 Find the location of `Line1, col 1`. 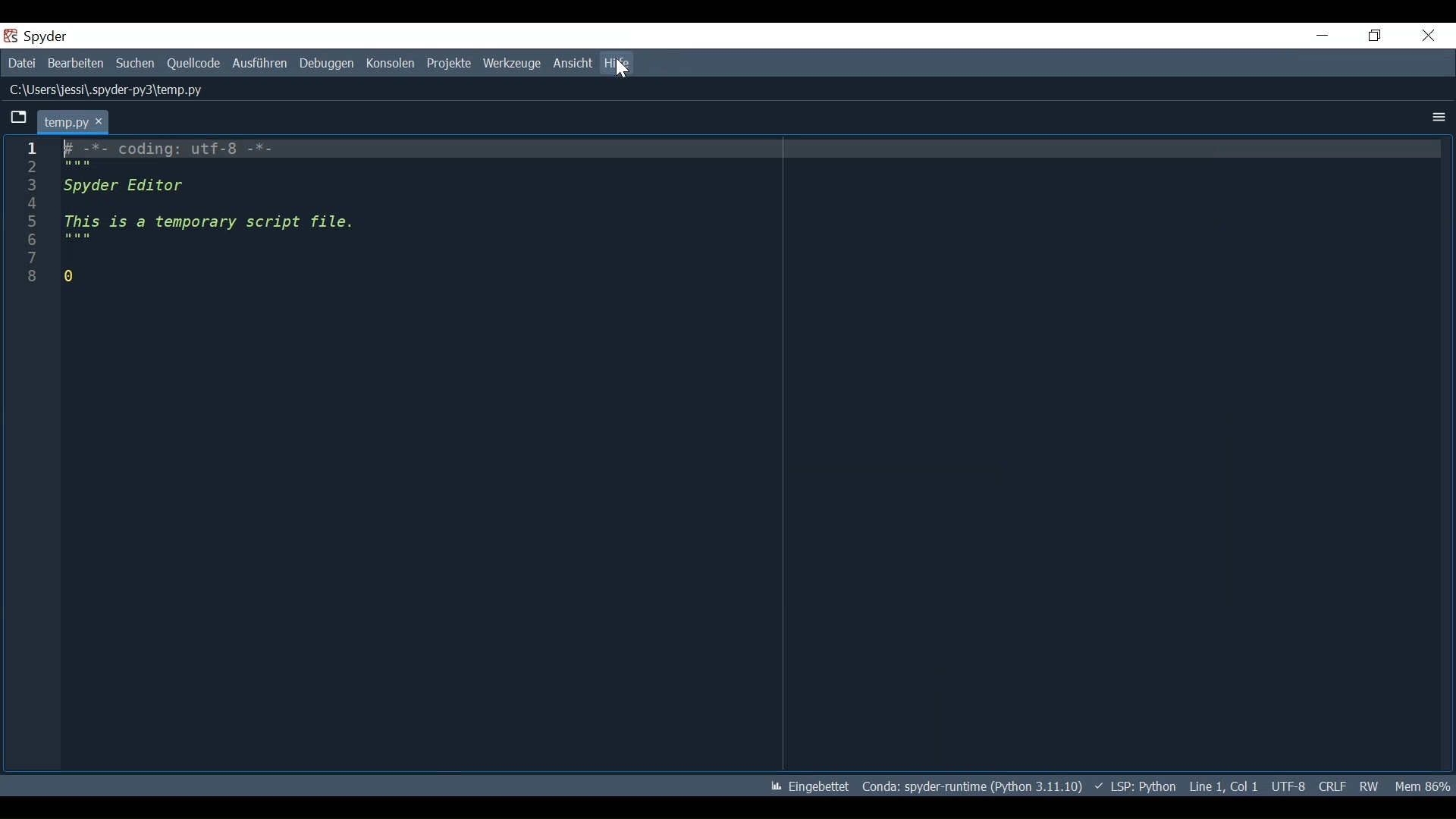

Line1, col 1 is located at coordinates (1225, 786).